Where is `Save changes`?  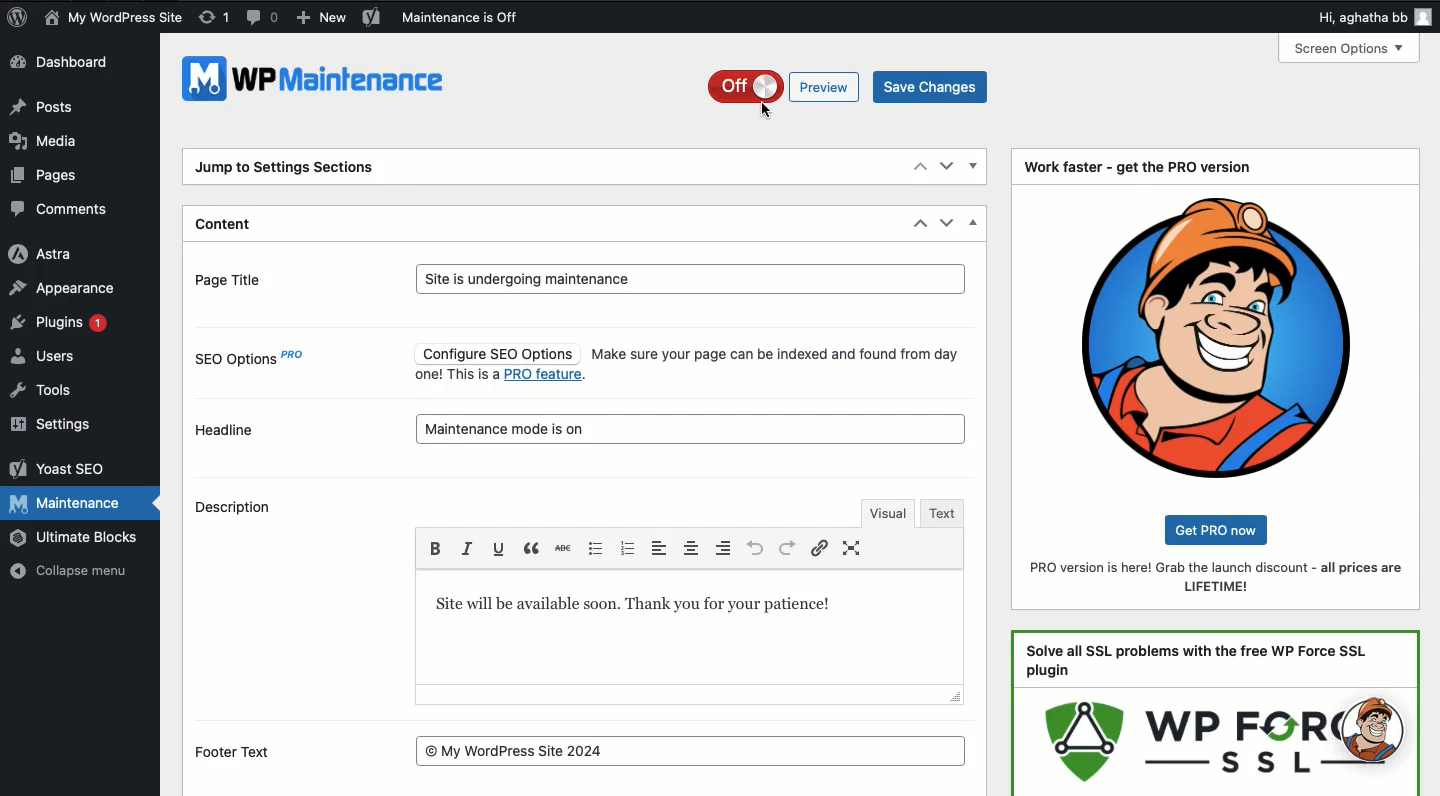 Save changes is located at coordinates (931, 85).